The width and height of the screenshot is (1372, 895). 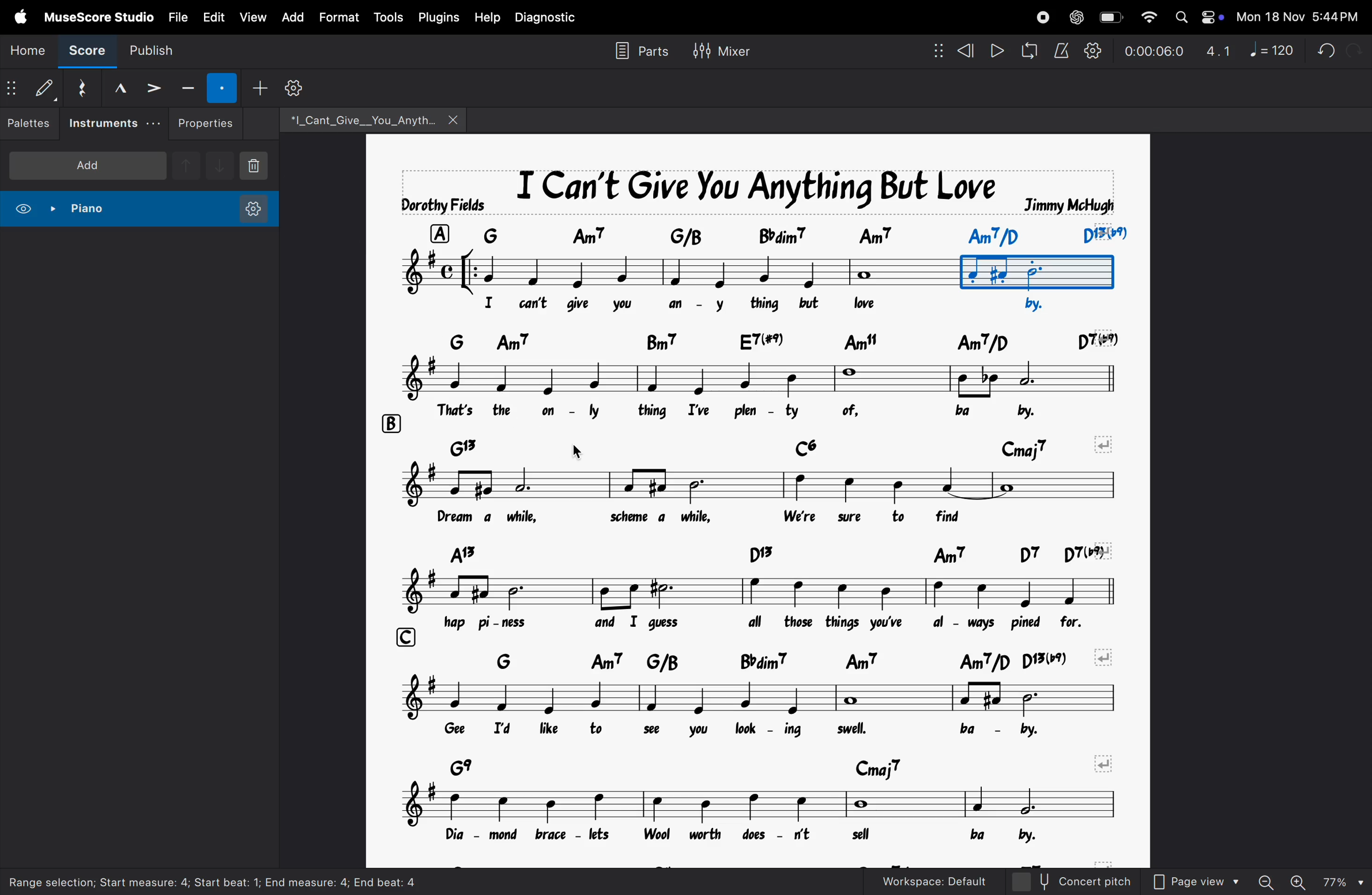 I want to click on add, so click(x=258, y=87).